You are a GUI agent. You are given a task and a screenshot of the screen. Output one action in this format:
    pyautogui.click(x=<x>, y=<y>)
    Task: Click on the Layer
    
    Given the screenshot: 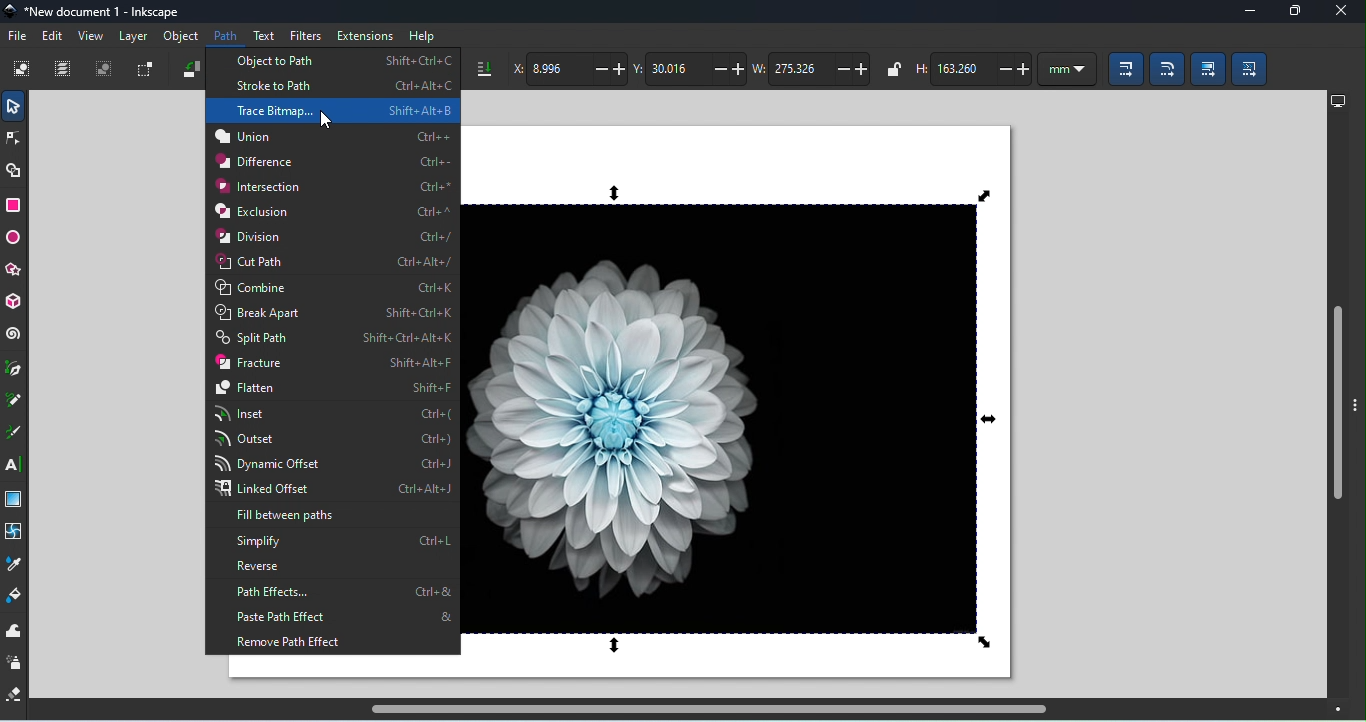 What is the action you would take?
    pyautogui.click(x=137, y=39)
    